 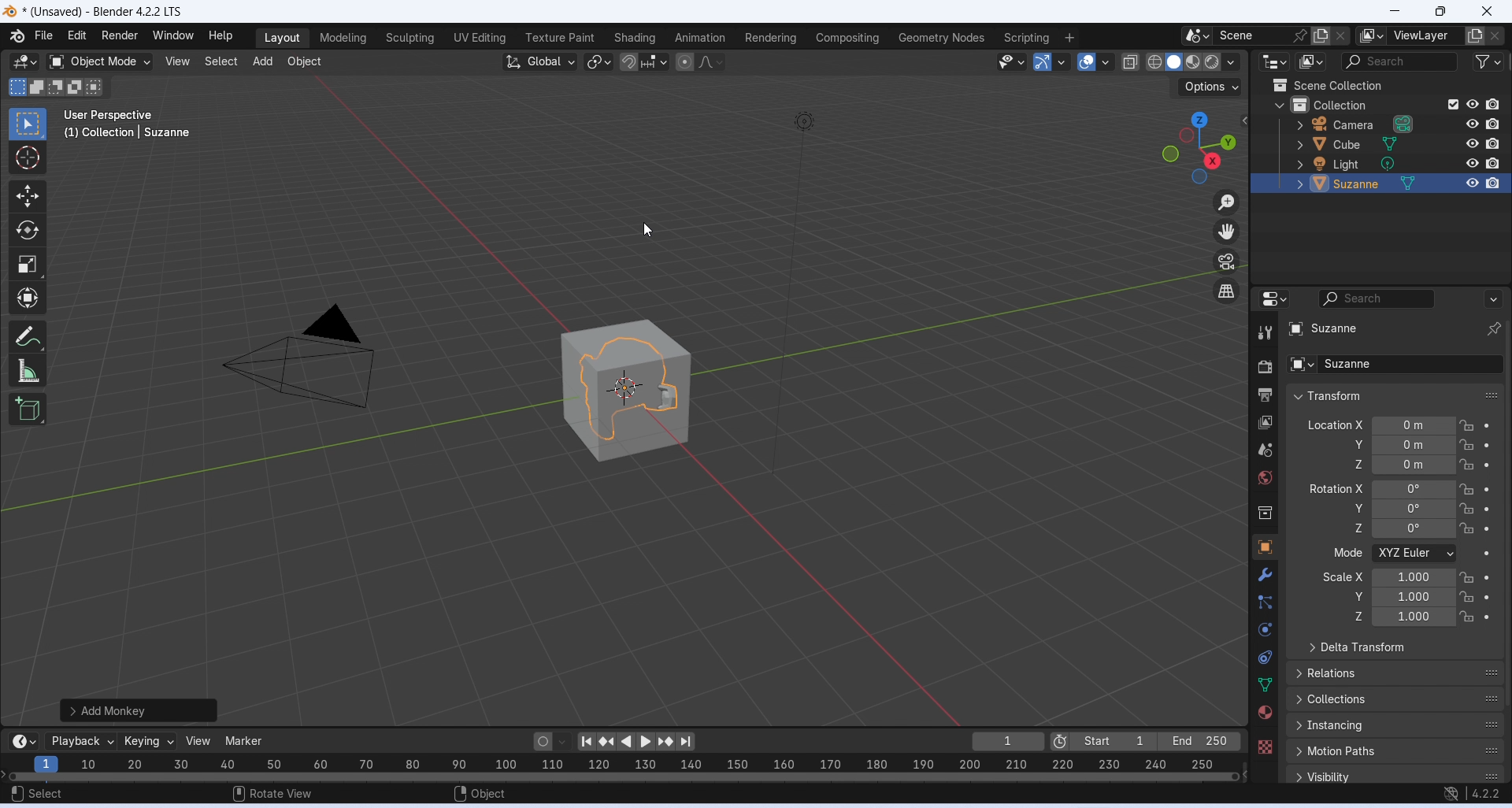 What do you see at coordinates (1266, 423) in the screenshot?
I see `view layer` at bounding box center [1266, 423].